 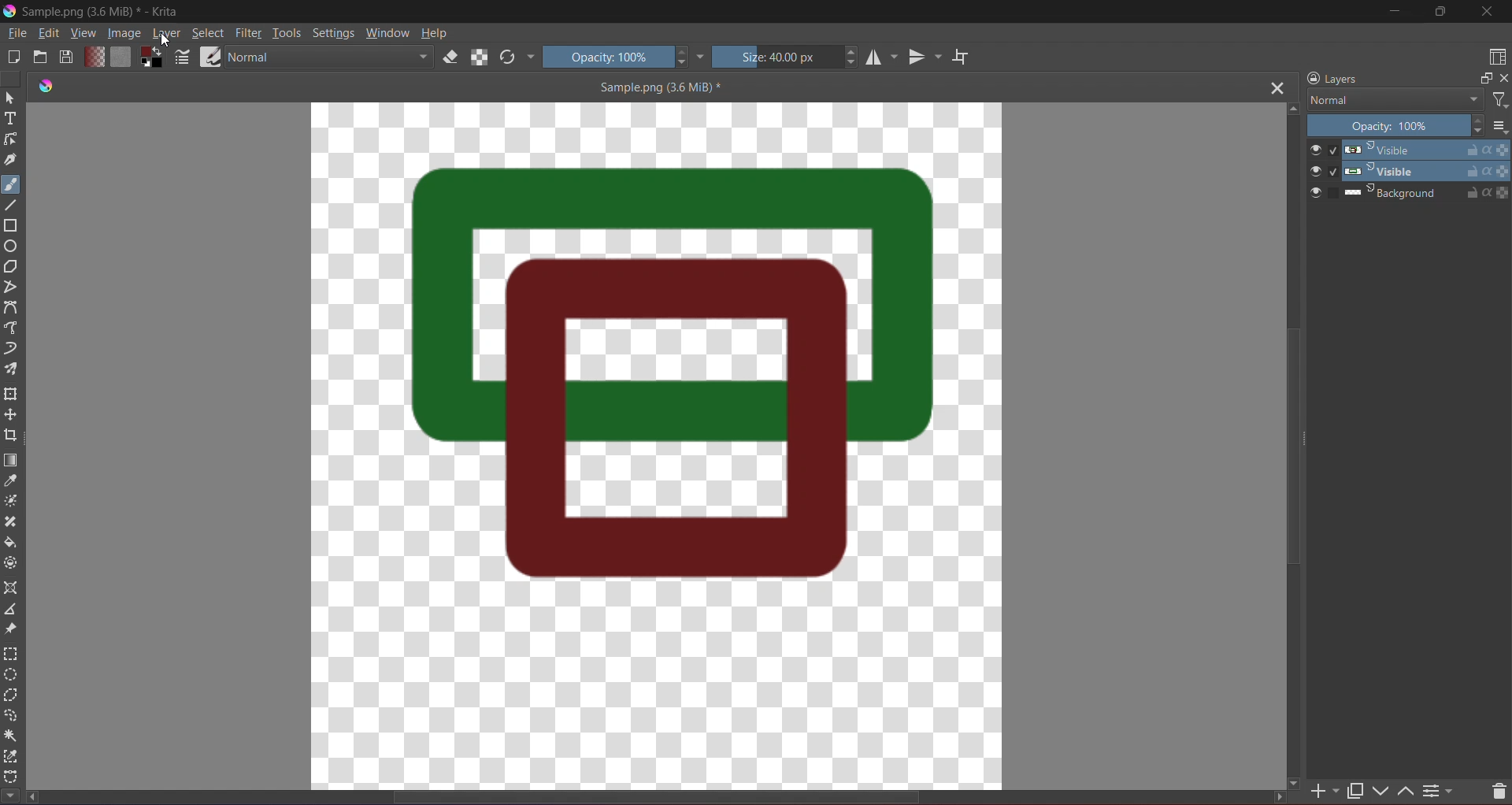 I want to click on Filter, so click(x=1497, y=98).